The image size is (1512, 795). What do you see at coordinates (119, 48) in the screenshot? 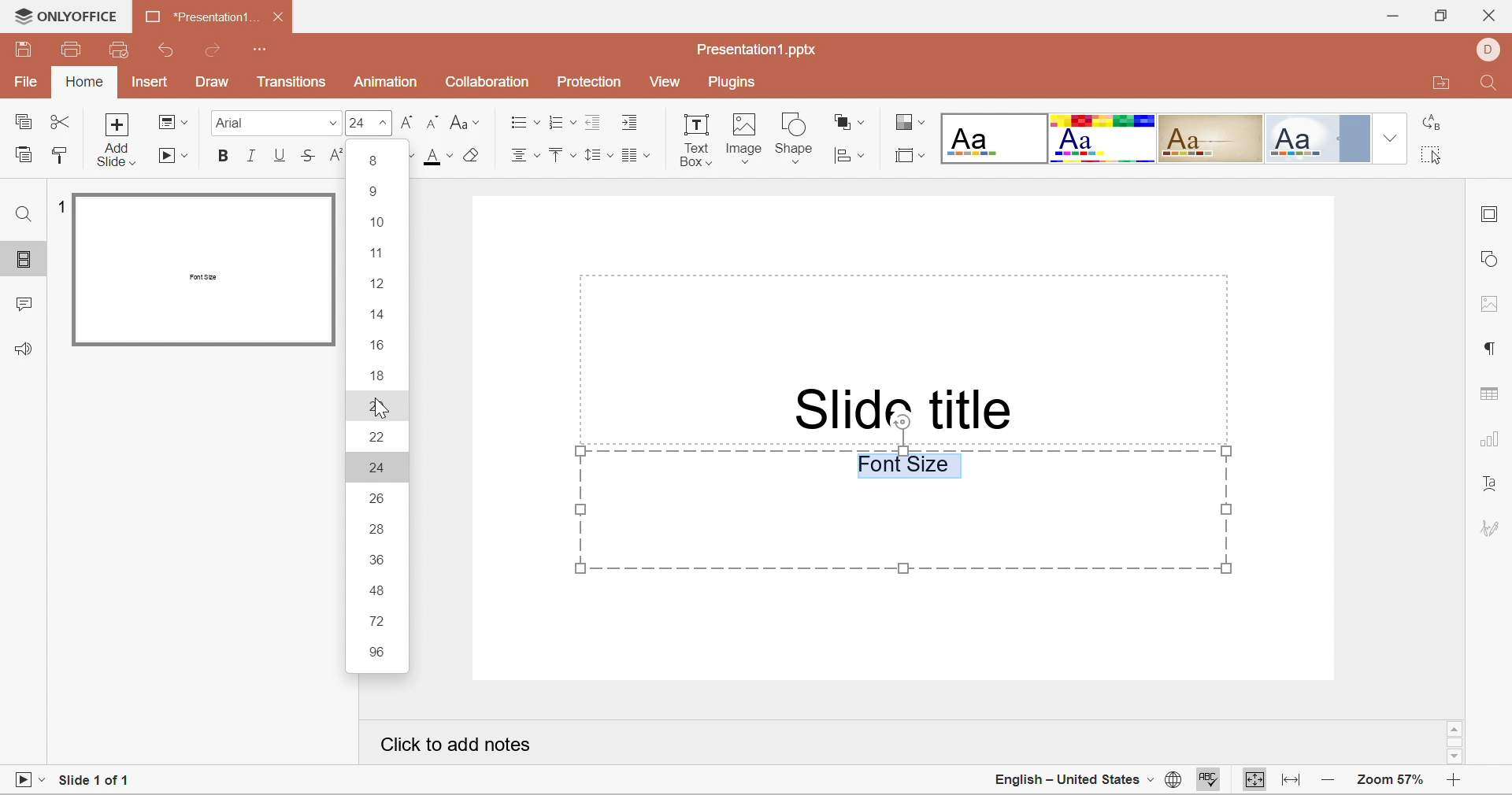
I see `Quick print` at bounding box center [119, 48].